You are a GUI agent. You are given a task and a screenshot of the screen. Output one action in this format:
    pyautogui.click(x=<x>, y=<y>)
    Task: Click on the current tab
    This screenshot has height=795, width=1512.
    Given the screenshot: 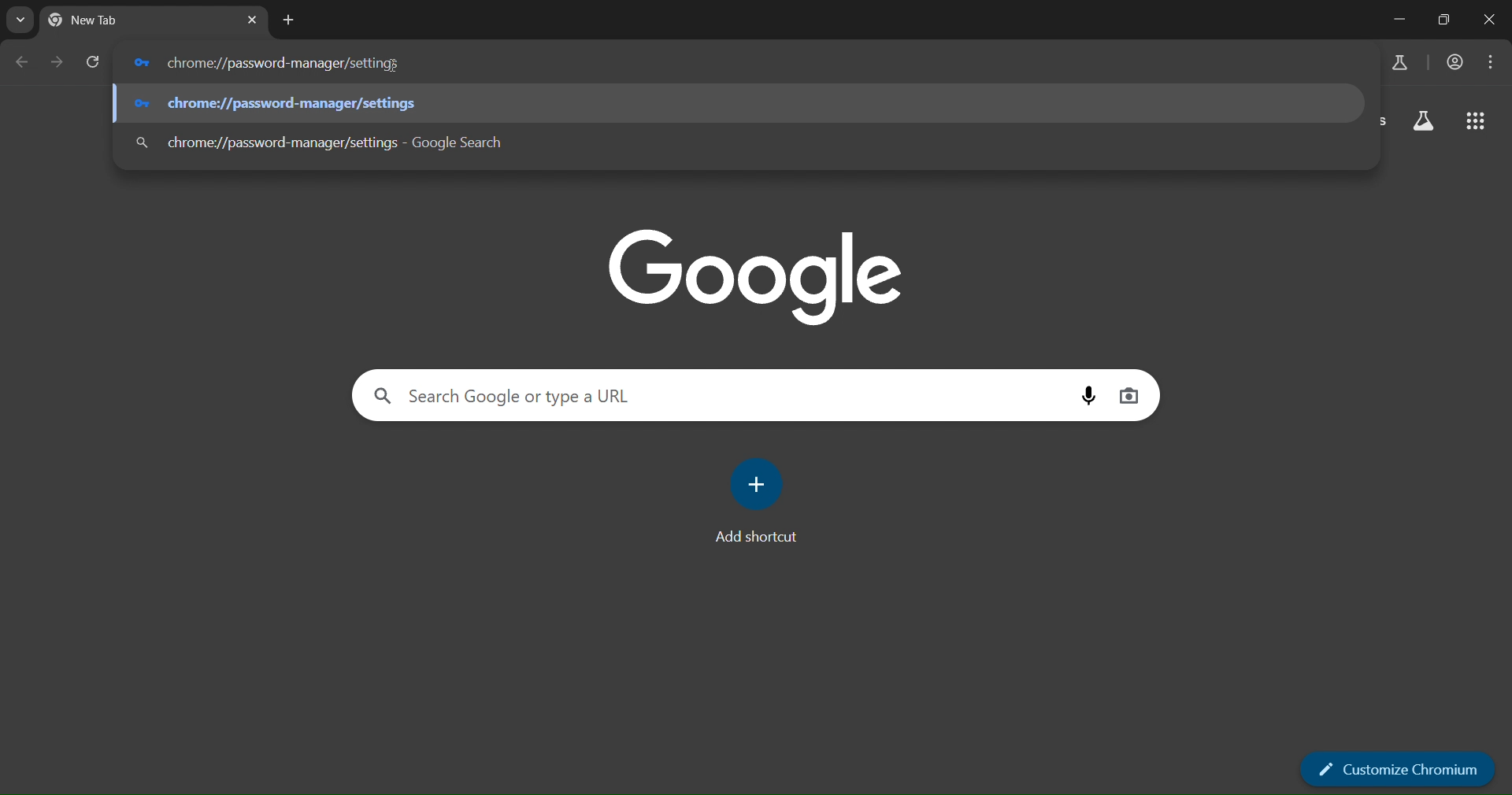 What is the action you would take?
    pyautogui.click(x=122, y=24)
    